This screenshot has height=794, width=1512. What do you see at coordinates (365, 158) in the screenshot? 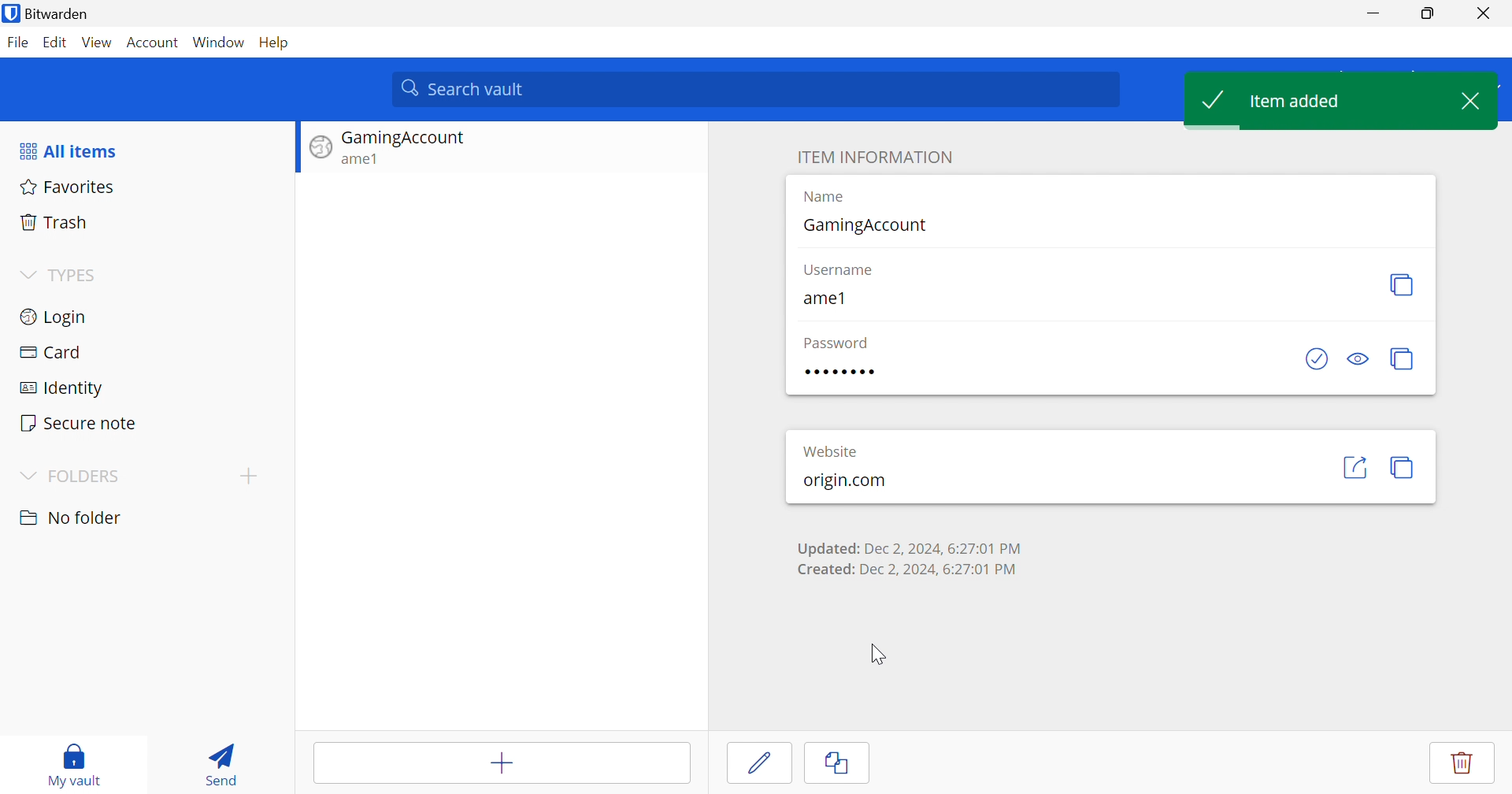
I see `ame1` at bounding box center [365, 158].